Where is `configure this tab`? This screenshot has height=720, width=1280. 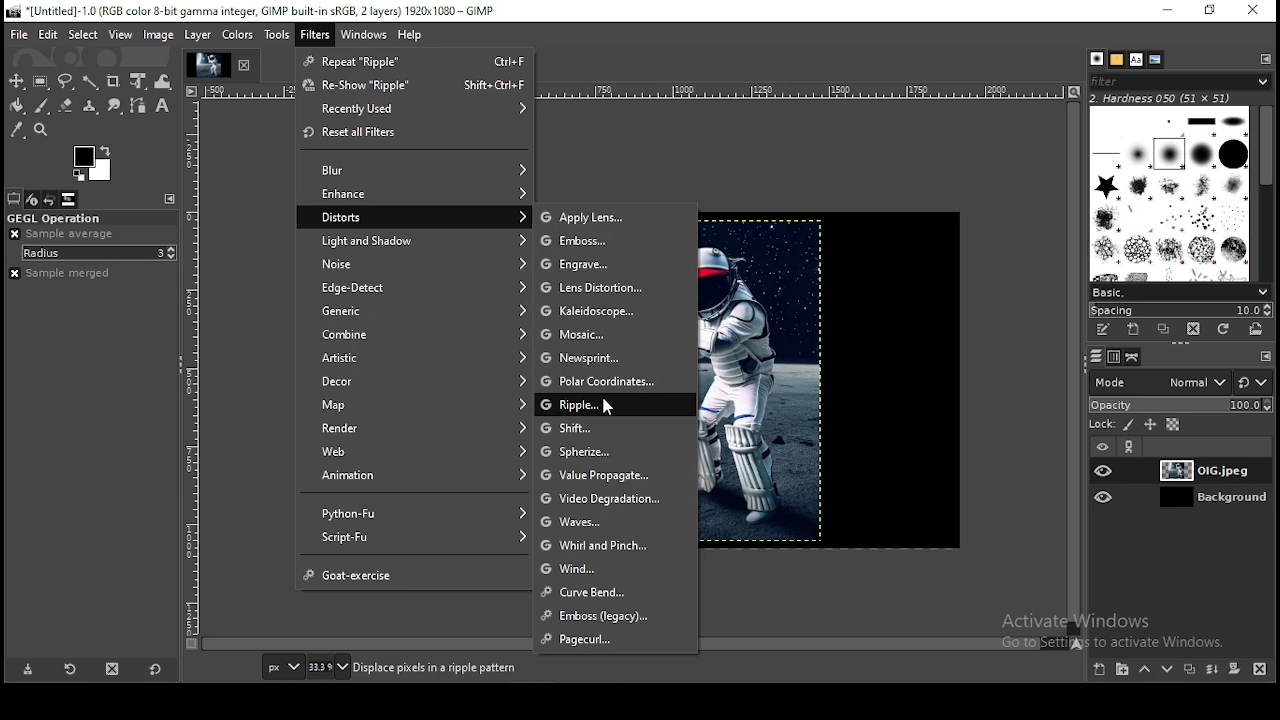
configure this tab is located at coordinates (1266, 354).